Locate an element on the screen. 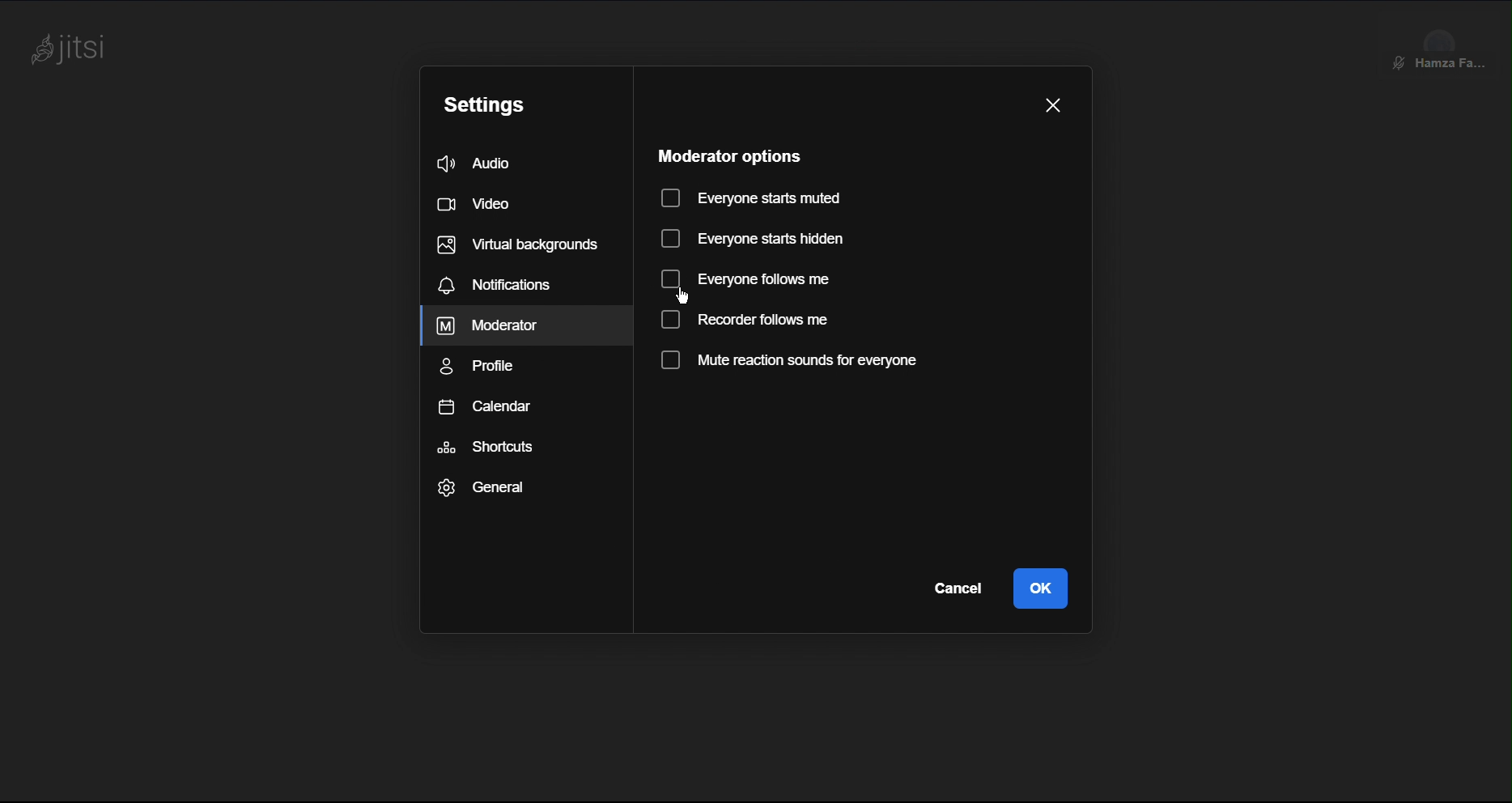  Close is located at coordinates (1054, 102).